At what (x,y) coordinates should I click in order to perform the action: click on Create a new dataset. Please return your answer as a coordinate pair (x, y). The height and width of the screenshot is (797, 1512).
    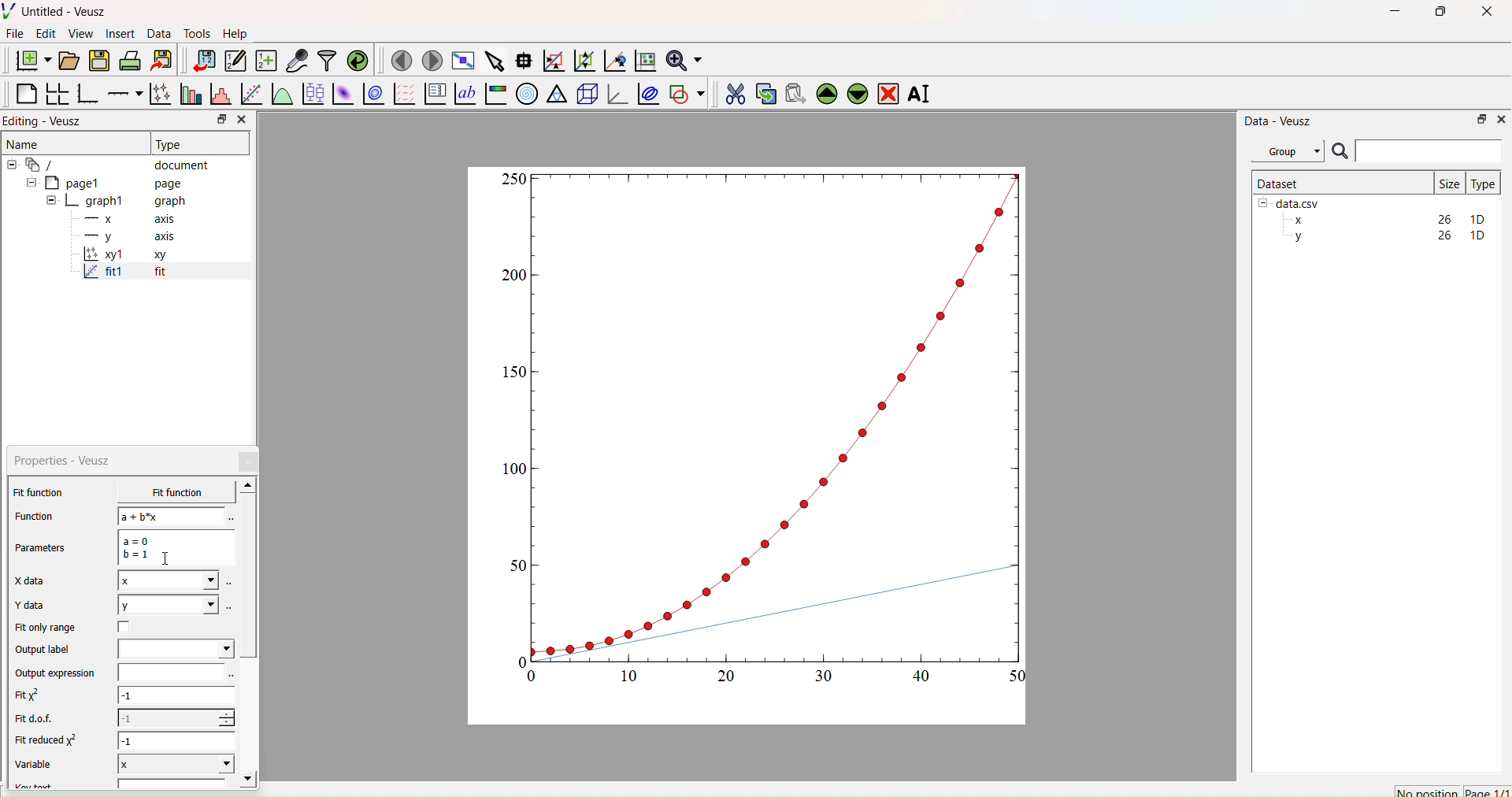
    Looking at the image, I should click on (265, 61).